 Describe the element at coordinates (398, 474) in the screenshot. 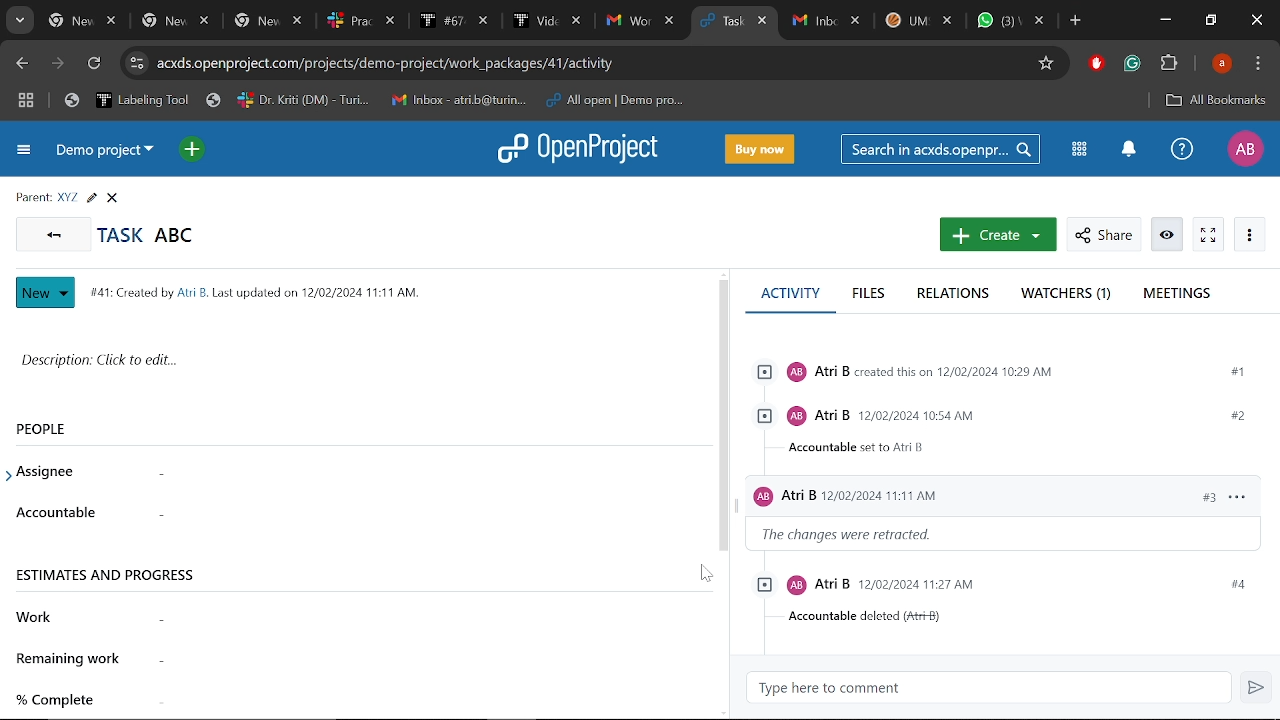

I see `Task assignee` at that location.